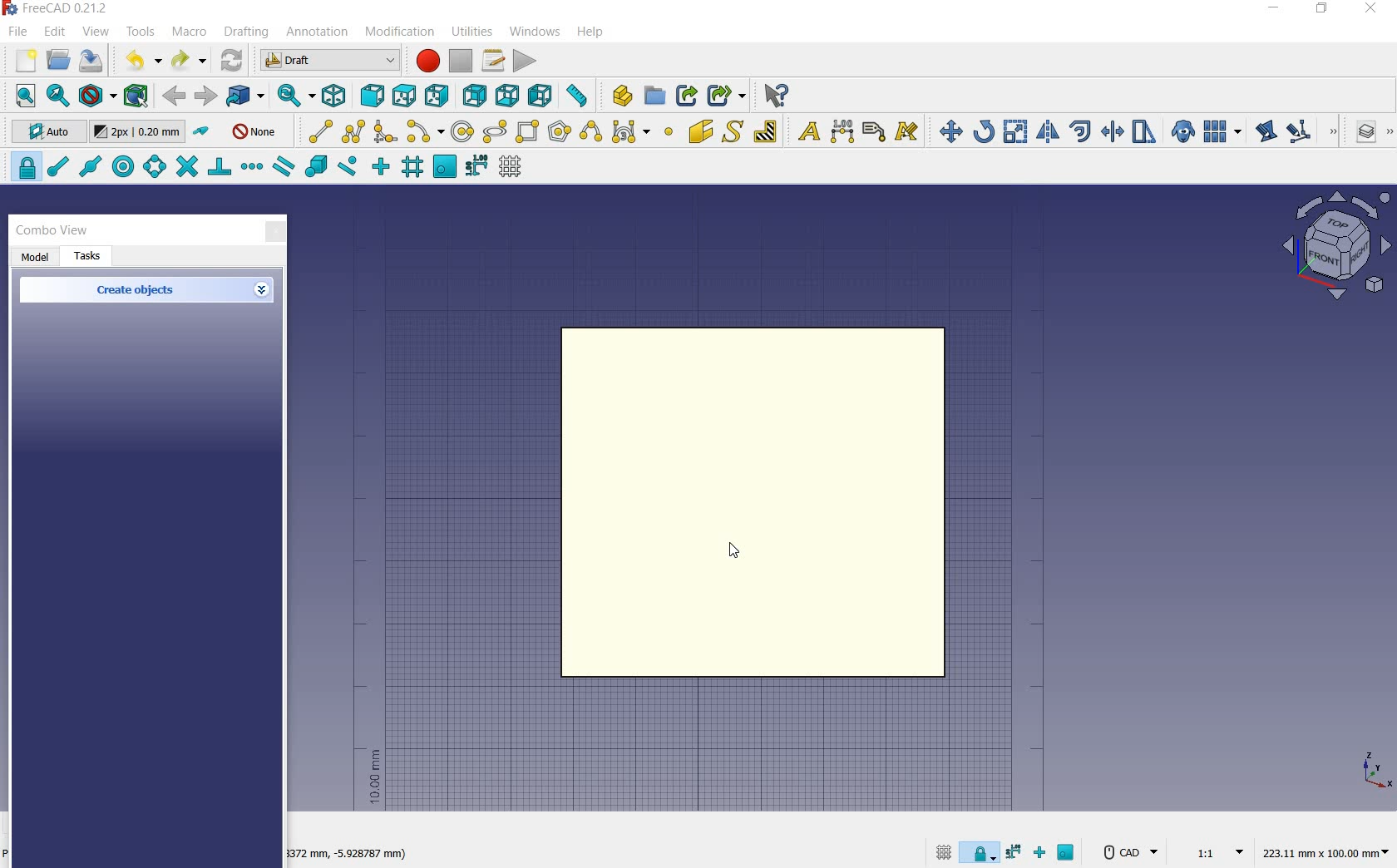 The height and width of the screenshot is (868, 1397). What do you see at coordinates (316, 131) in the screenshot?
I see `line` at bounding box center [316, 131].